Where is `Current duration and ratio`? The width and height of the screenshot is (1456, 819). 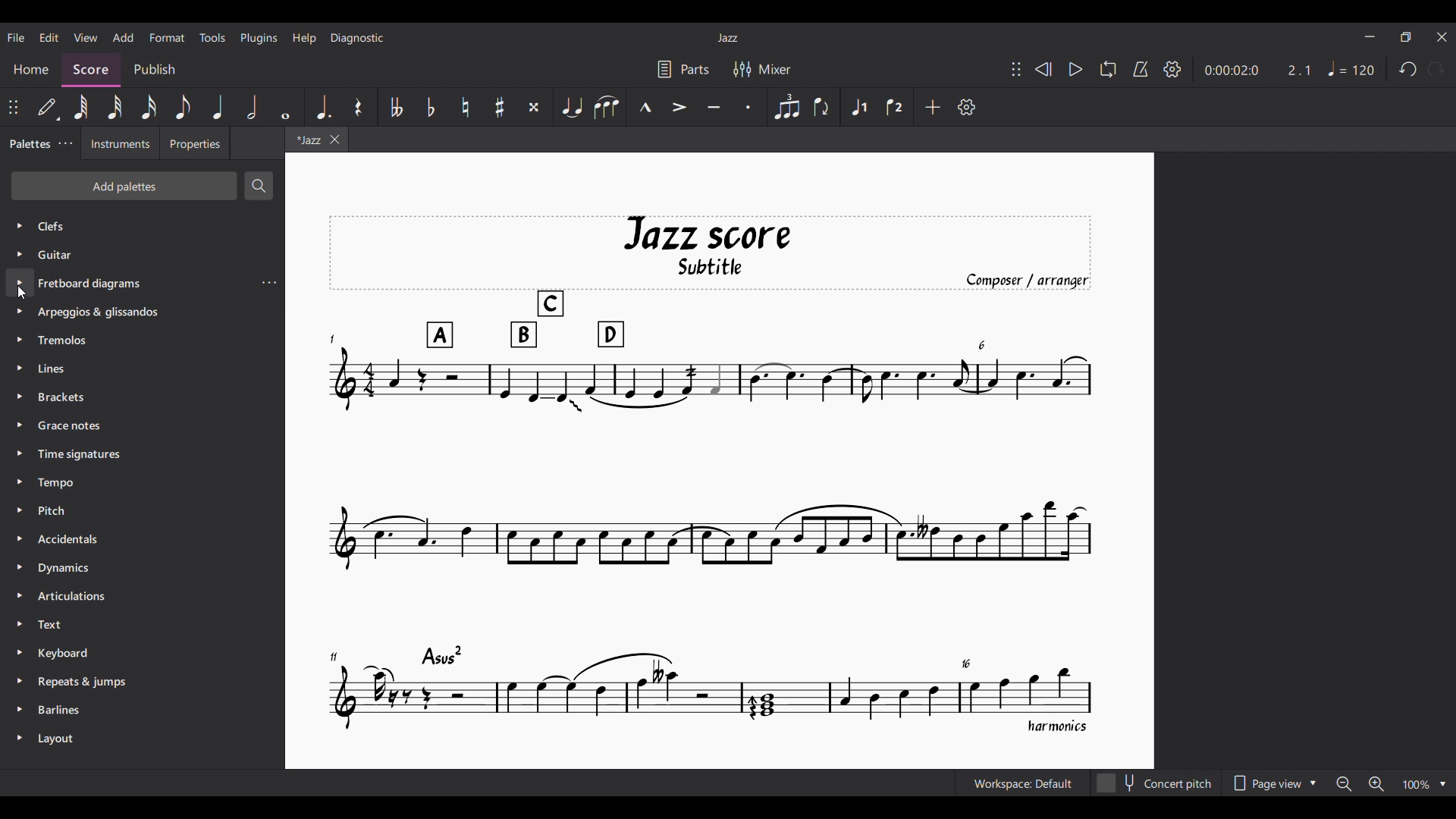 Current duration and ratio is located at coordinates (1258, 71).